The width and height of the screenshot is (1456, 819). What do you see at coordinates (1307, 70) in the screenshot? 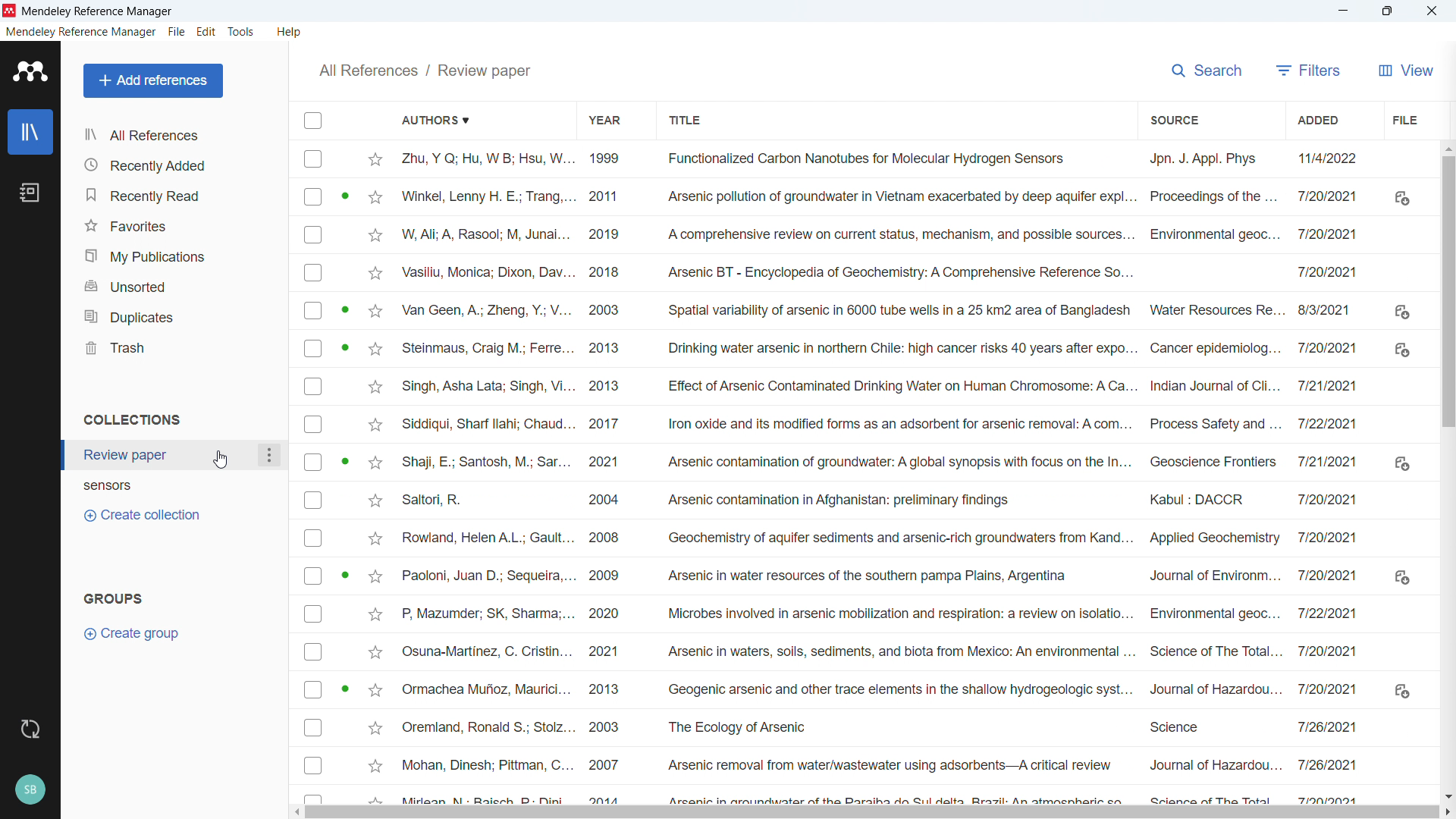
I see `filters` at bounding box center [1307, 70].